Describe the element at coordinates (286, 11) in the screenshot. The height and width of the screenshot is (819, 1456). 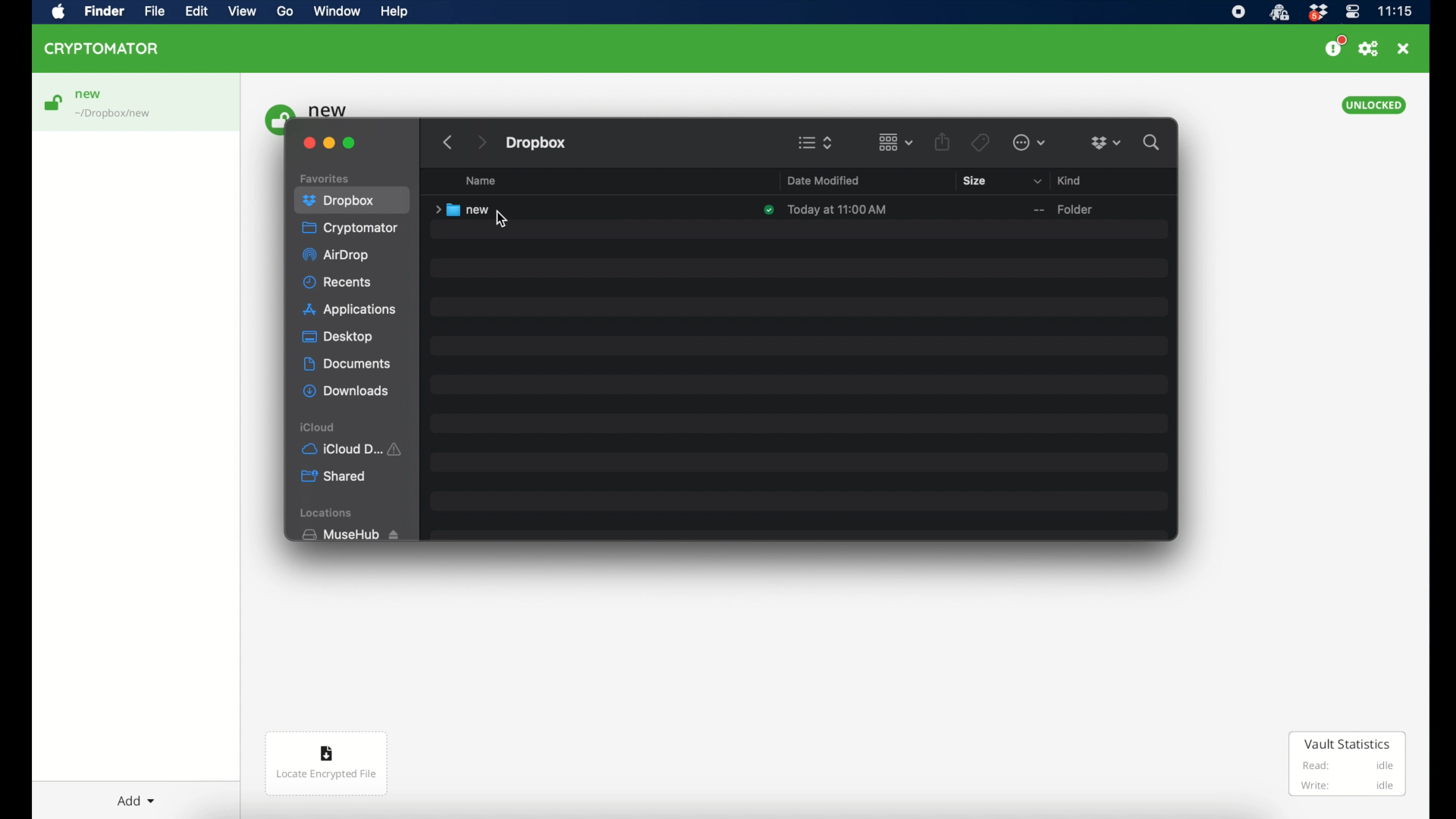
I see `go` at that location.